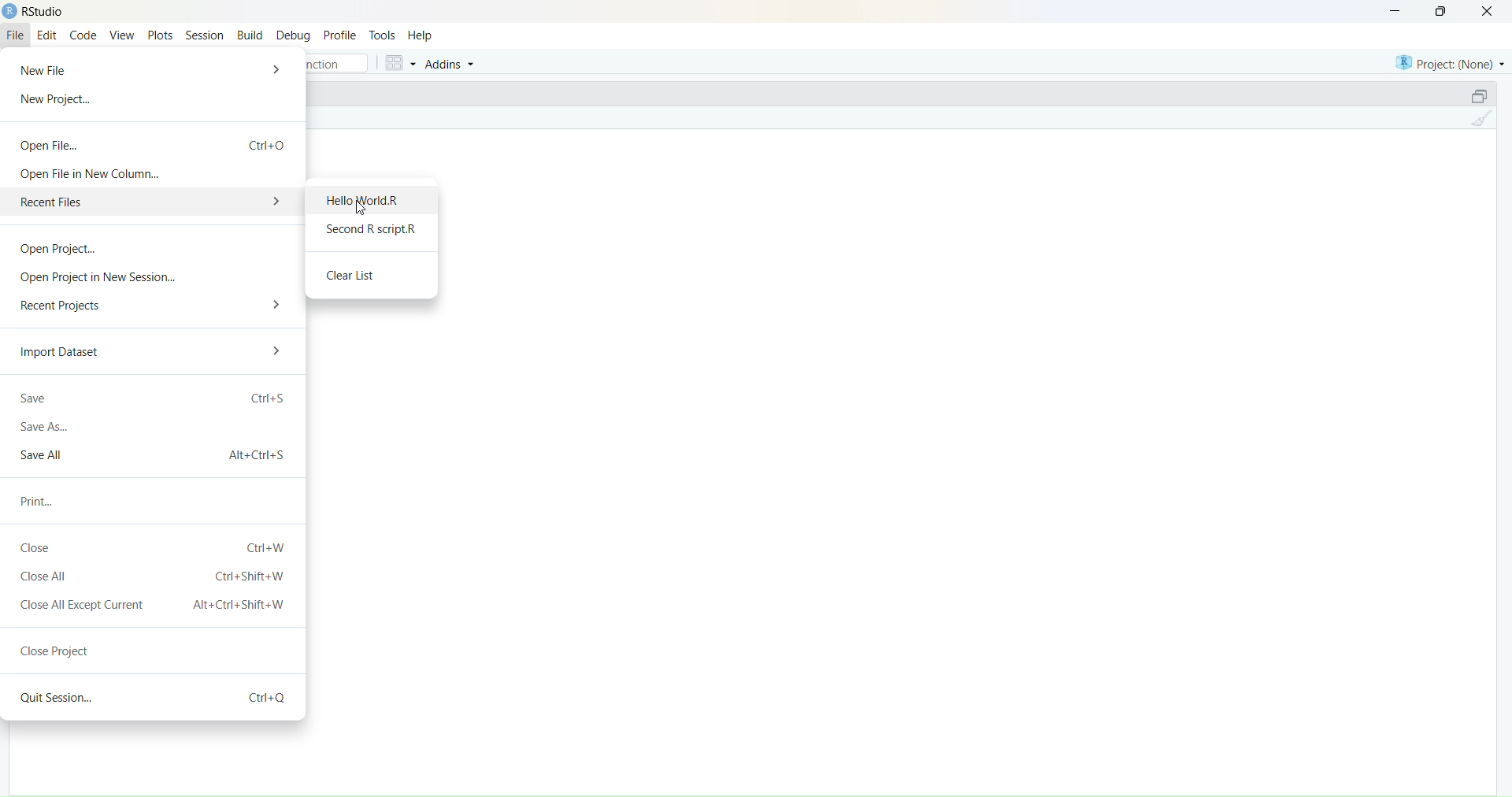 Image resolution: width=1512 pixels, height=797 pixels. I want to click on Close All Except Current Alt+Ctrl+Shift+W, so click(151, 605).